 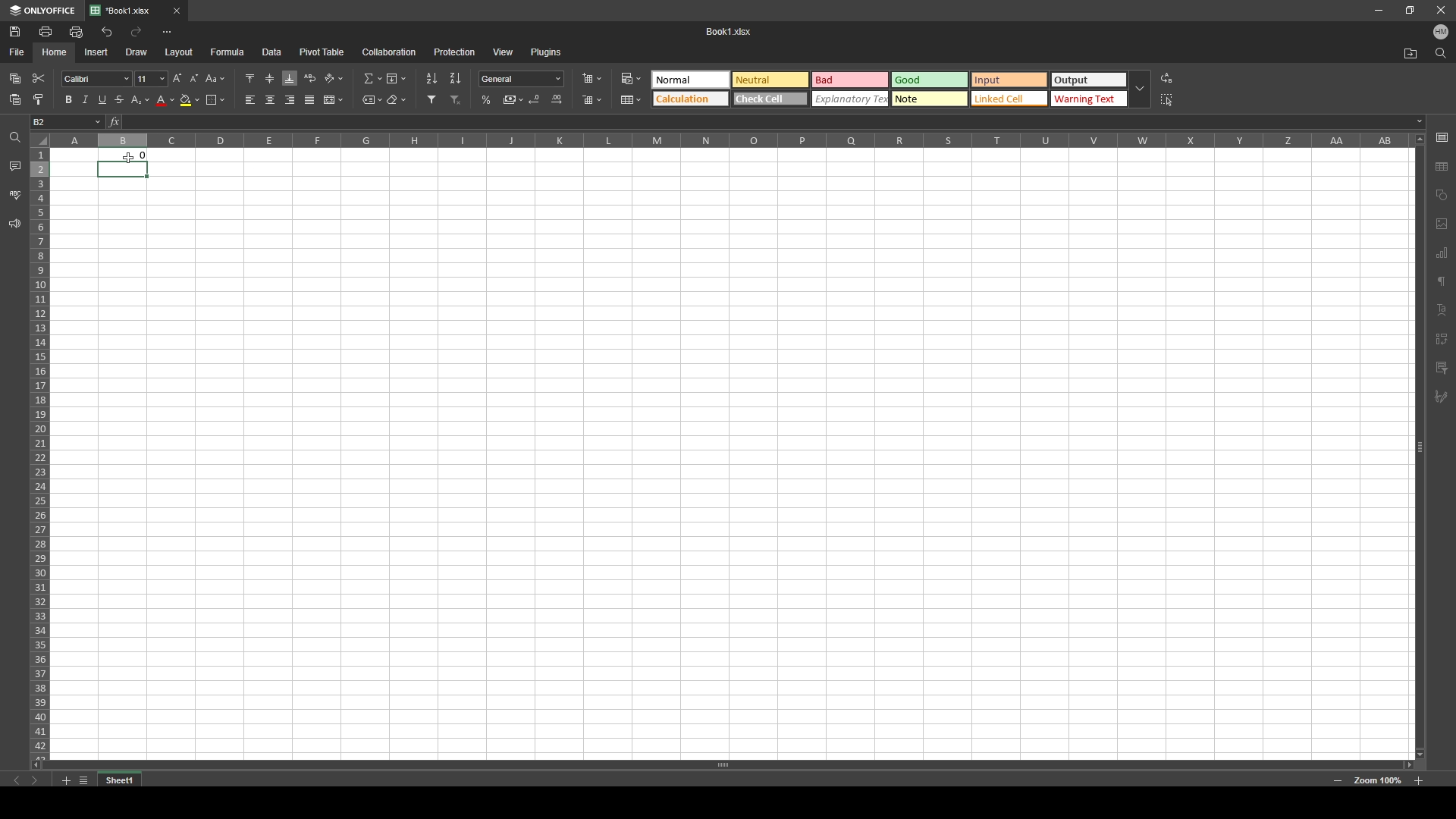 What do you see at coordinates (521, 79) in the screenshot?
I see `number format` at bounding box center [521, 79].